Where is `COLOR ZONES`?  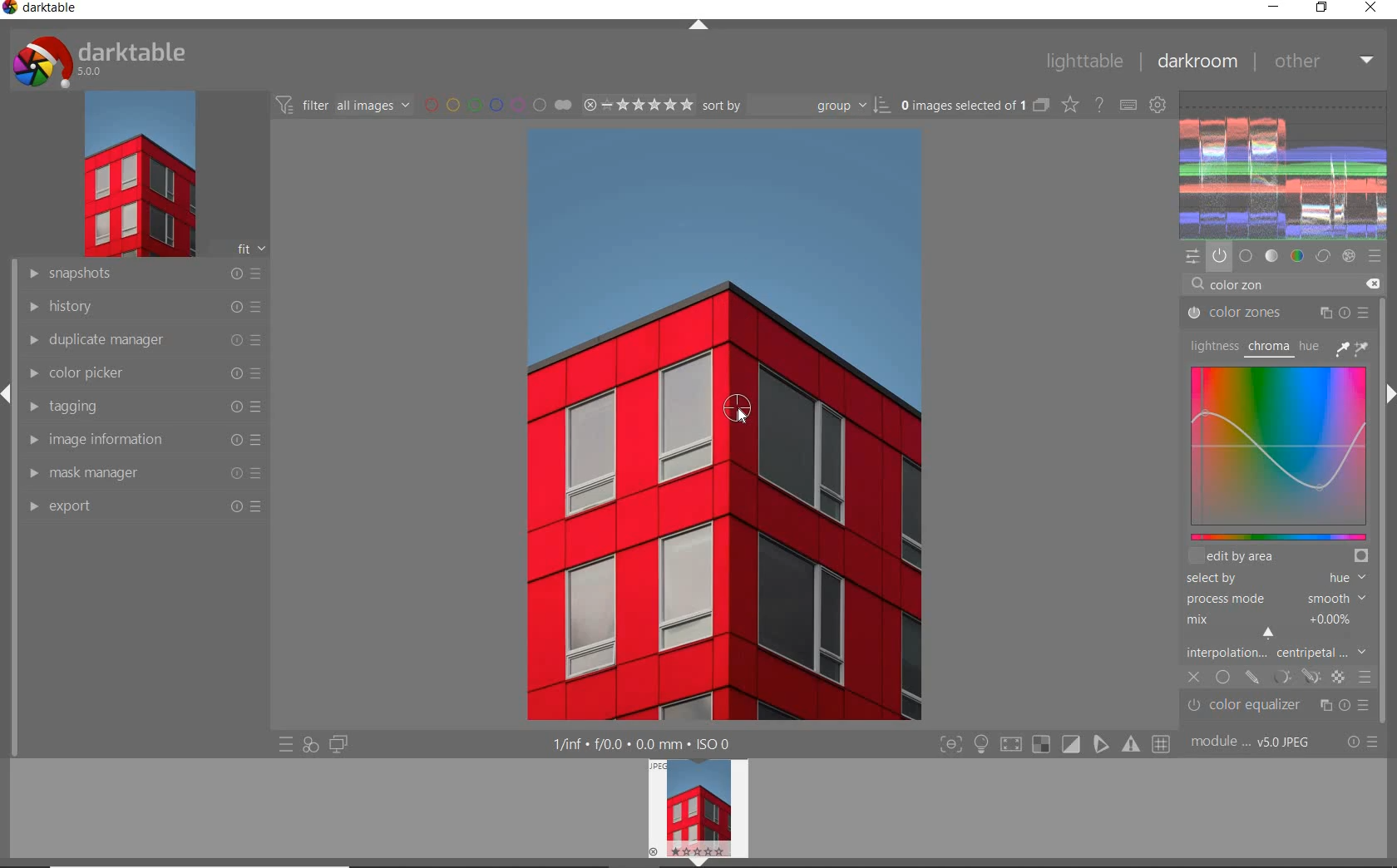
COLOR ZONES is located at coordinates (1278, 313).